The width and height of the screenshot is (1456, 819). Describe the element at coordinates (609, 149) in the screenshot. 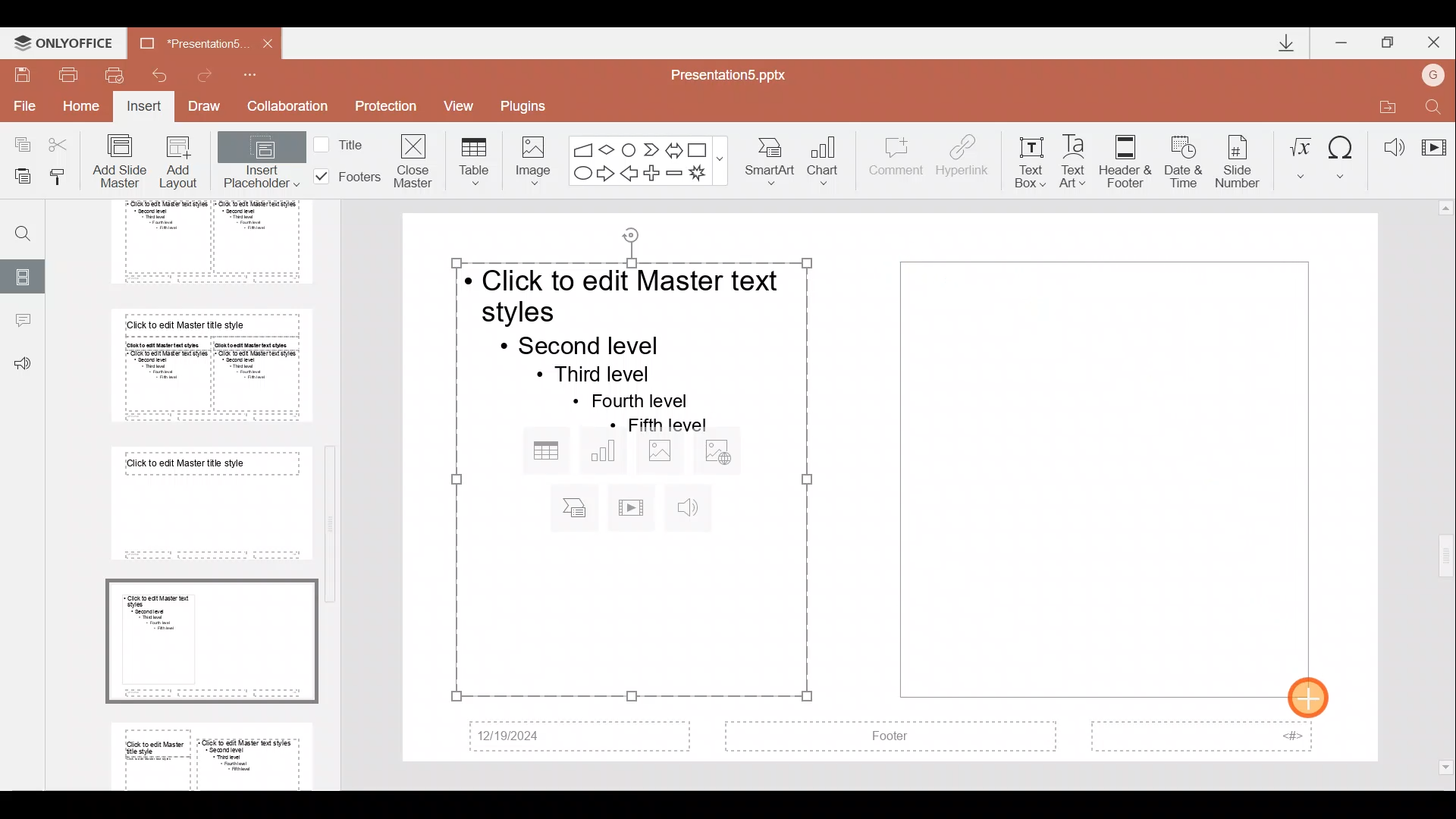

I see `Flow chart-decision` at that location.